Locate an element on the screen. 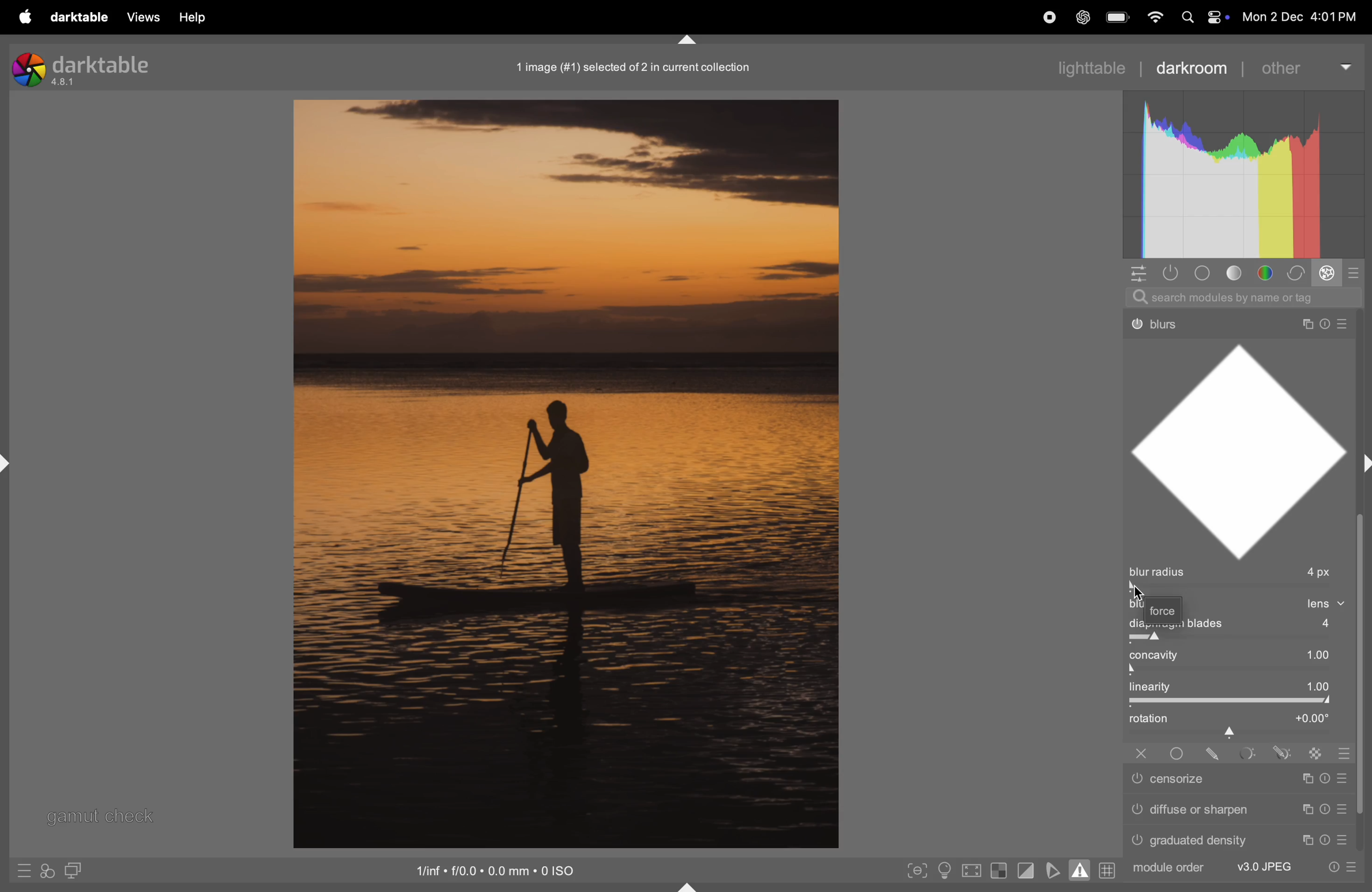 The height and width of the screenshot is (892, 1372).  is located at coordinates (1141, 754).